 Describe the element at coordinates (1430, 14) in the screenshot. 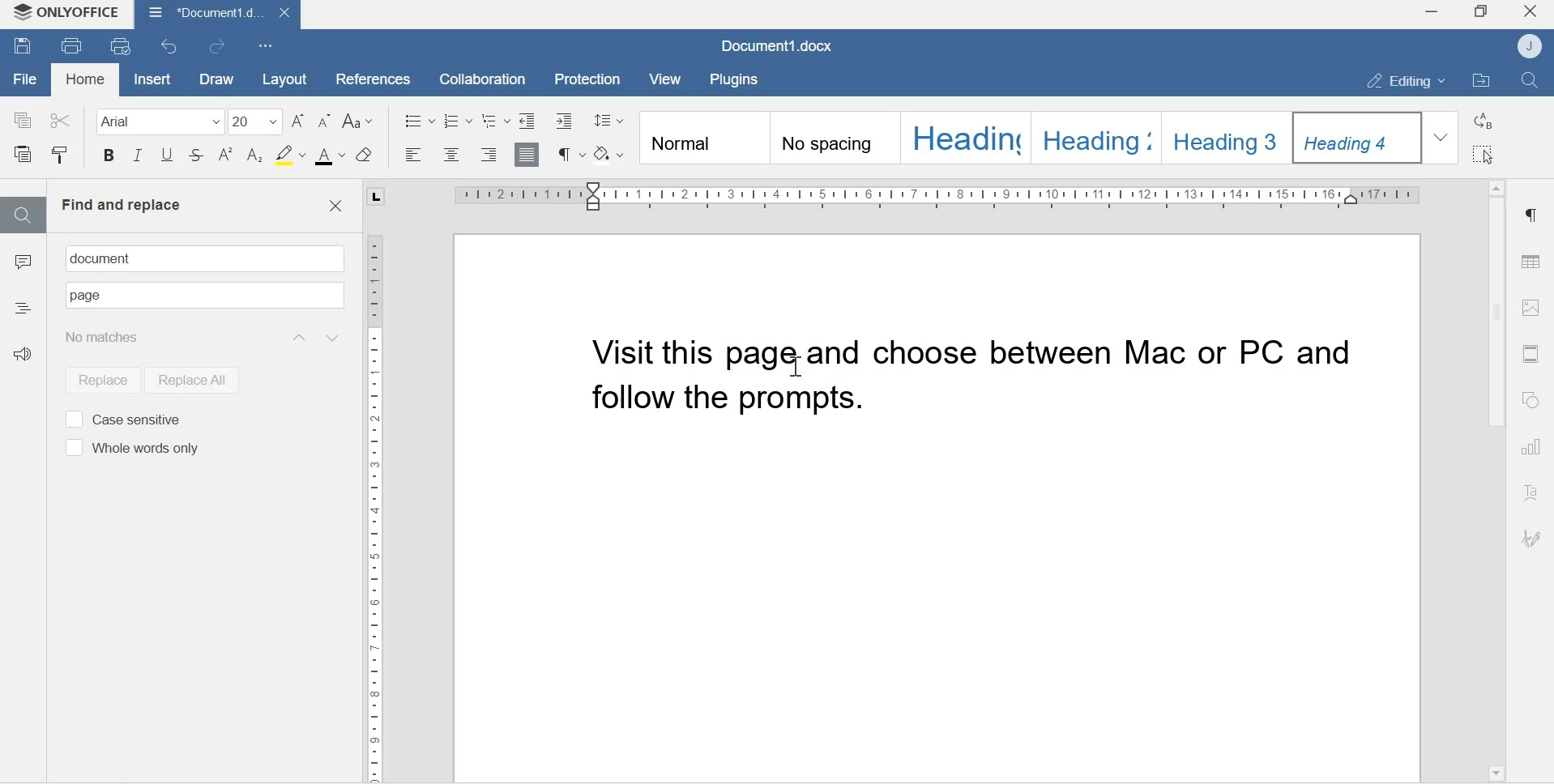

I see `Minimize` at that location.